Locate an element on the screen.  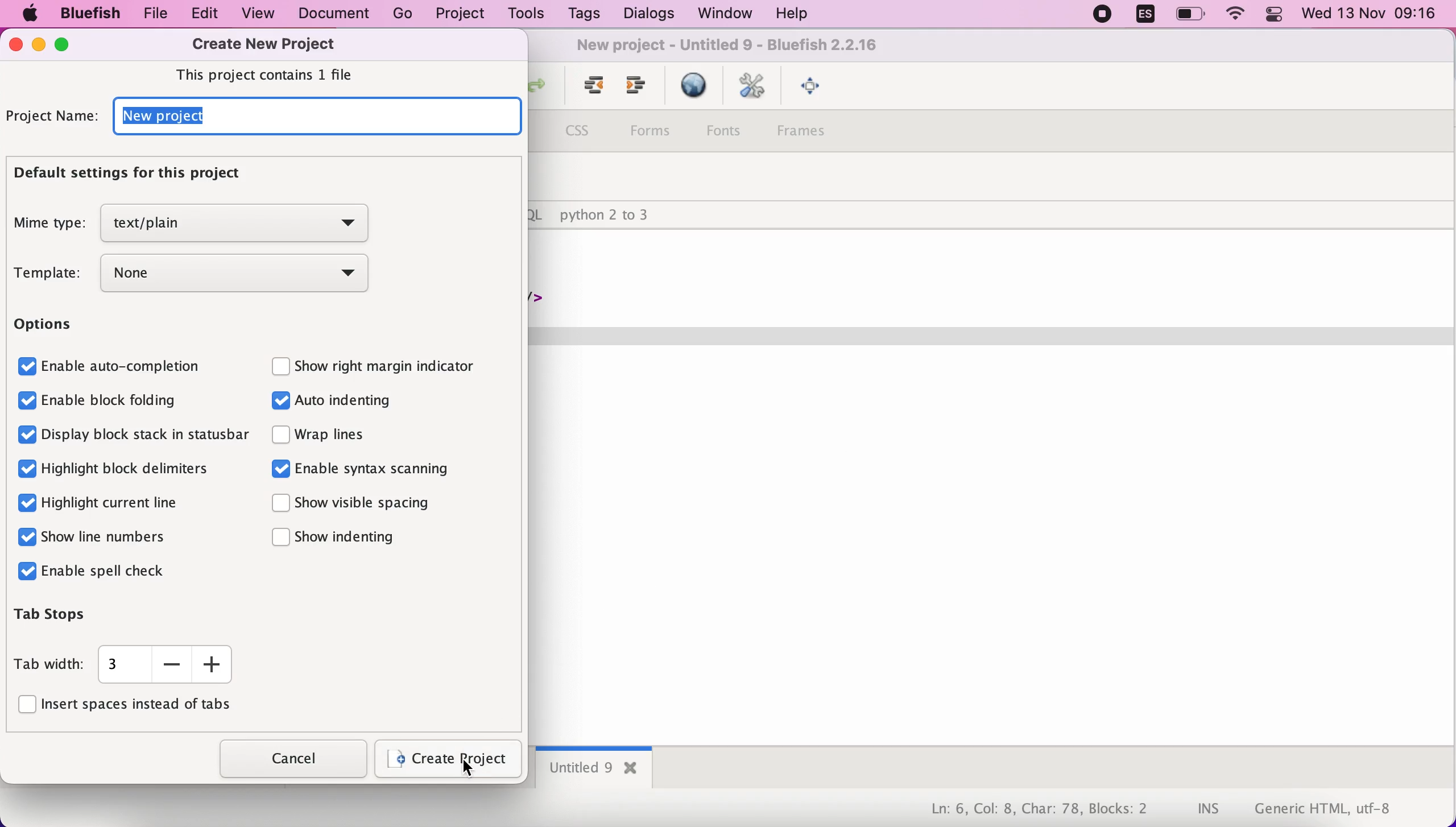
help is located at coordinates (792, 15).